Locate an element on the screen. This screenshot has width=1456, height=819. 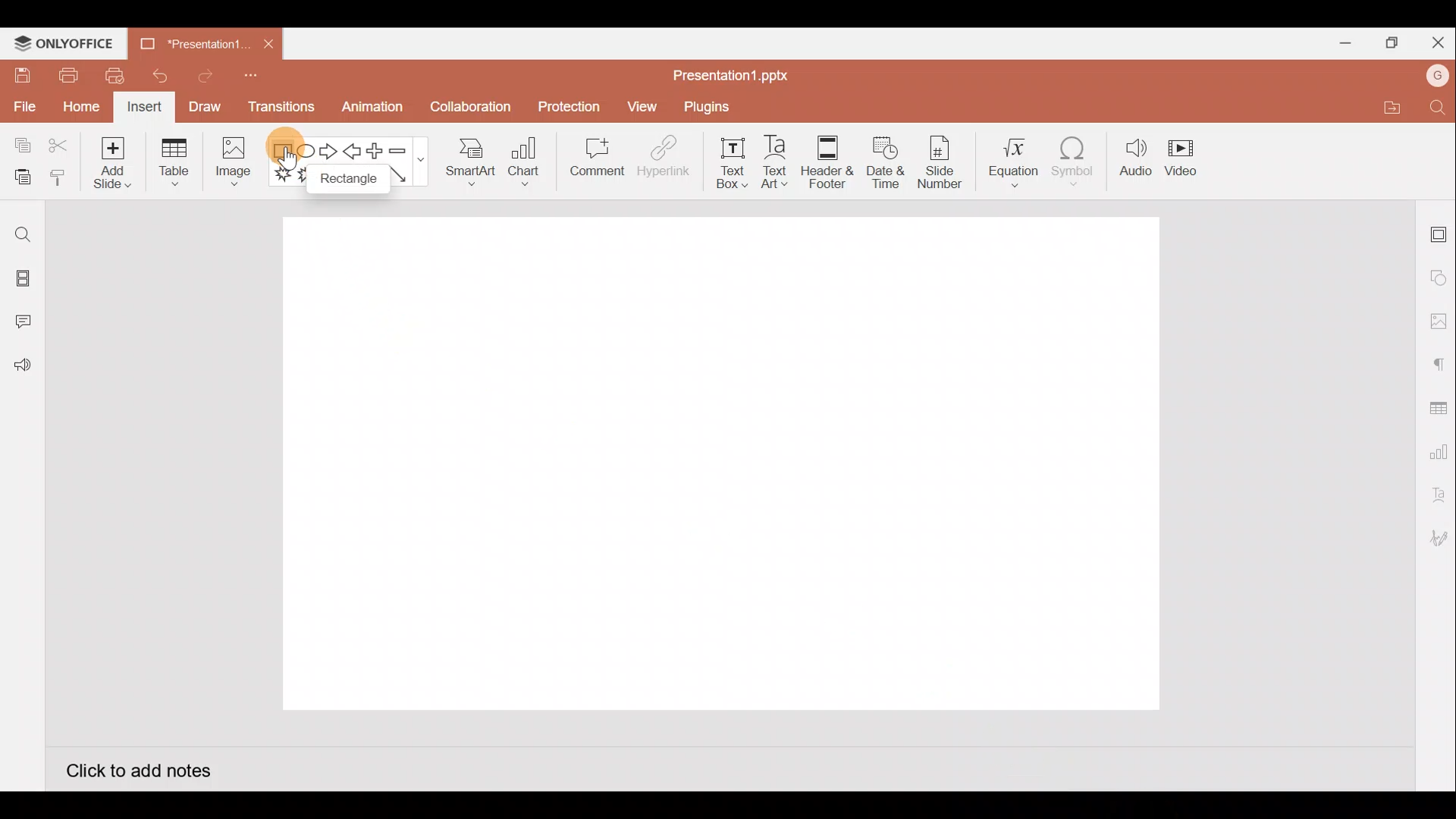
Account name is located at coordinates (1438, 76).